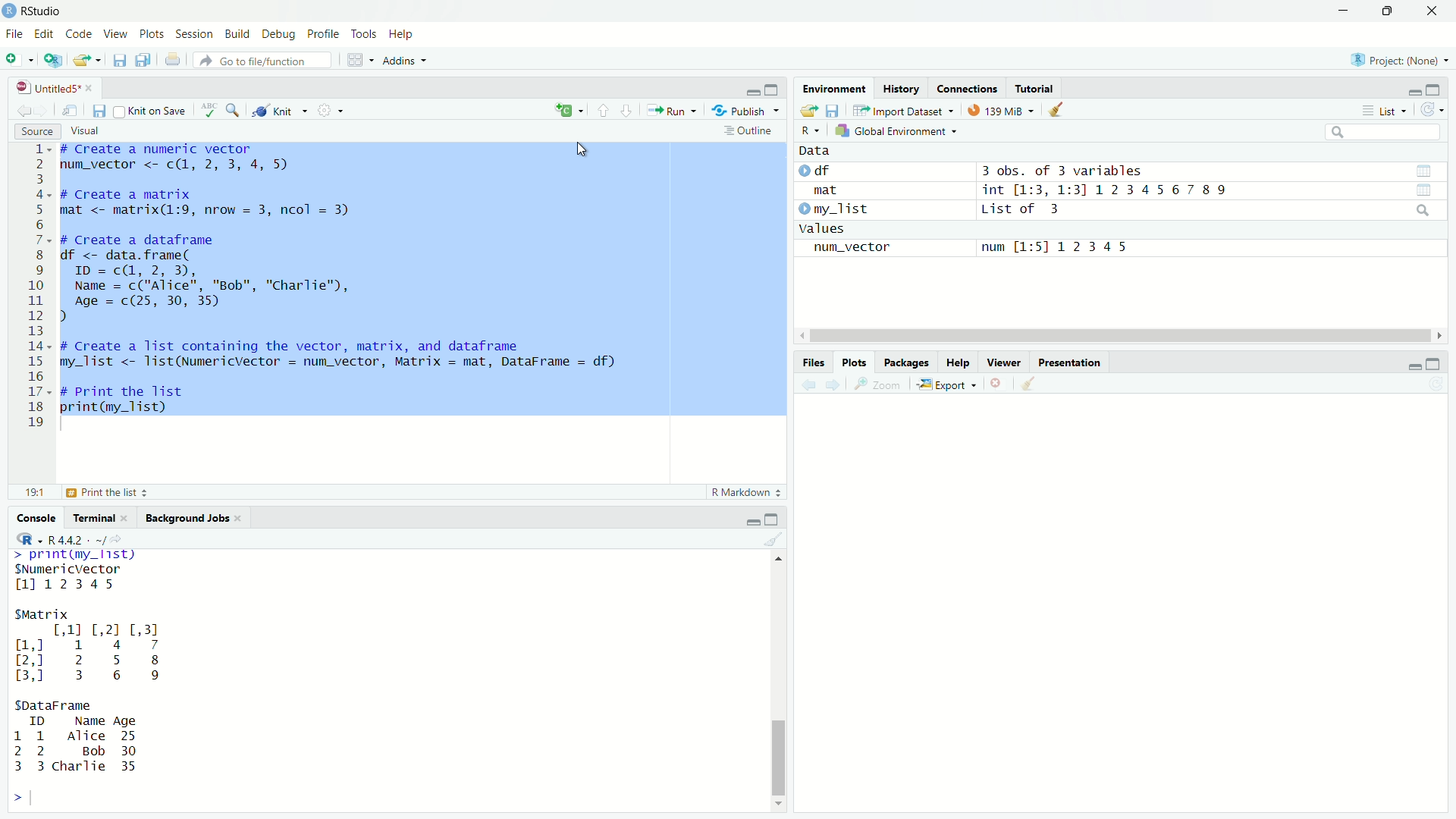 The image size is (1456, 819). I want to click on Build, so click(240, 33).